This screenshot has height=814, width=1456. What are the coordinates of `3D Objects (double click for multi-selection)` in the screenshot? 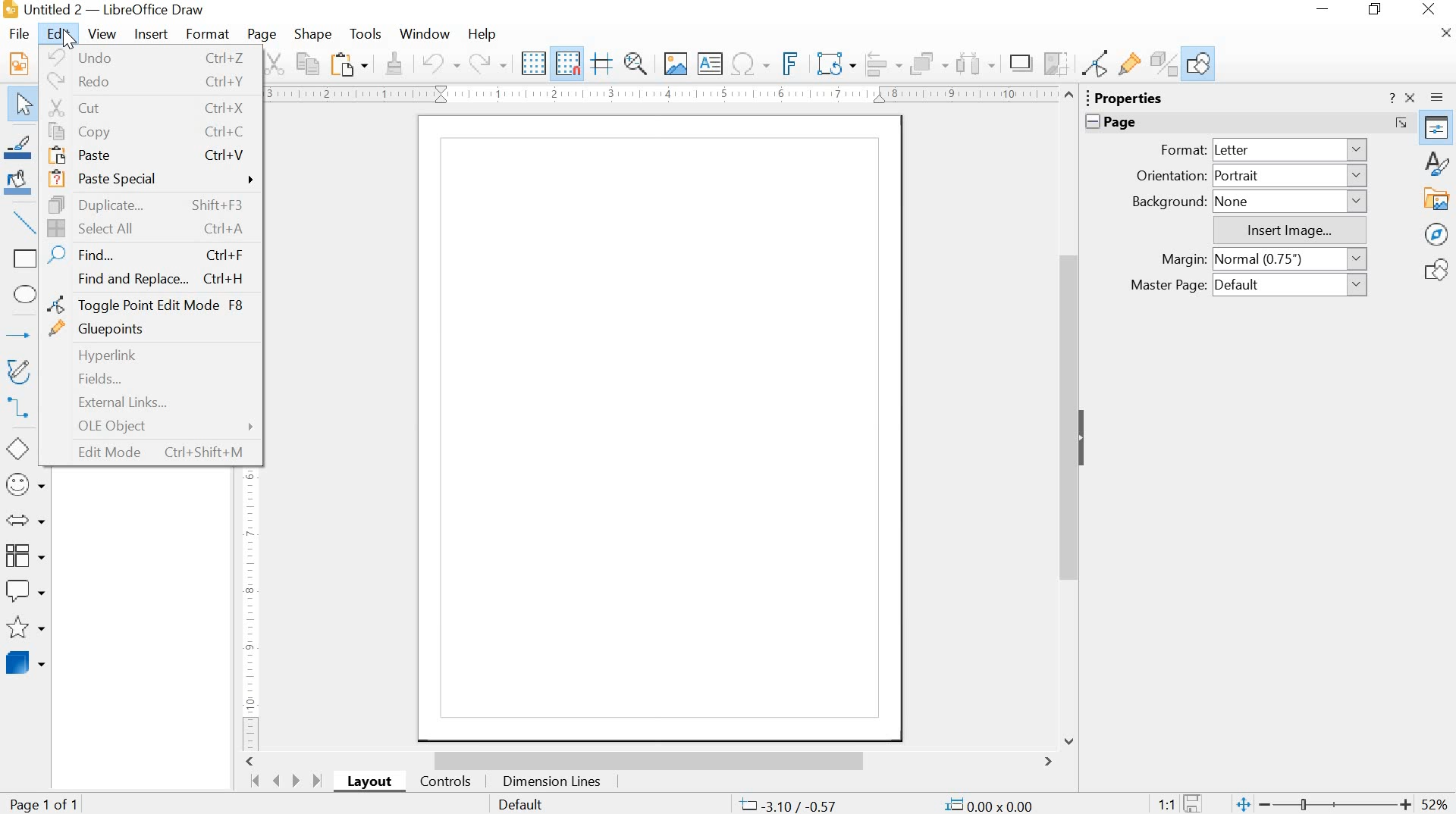 It's located at (25, 662).